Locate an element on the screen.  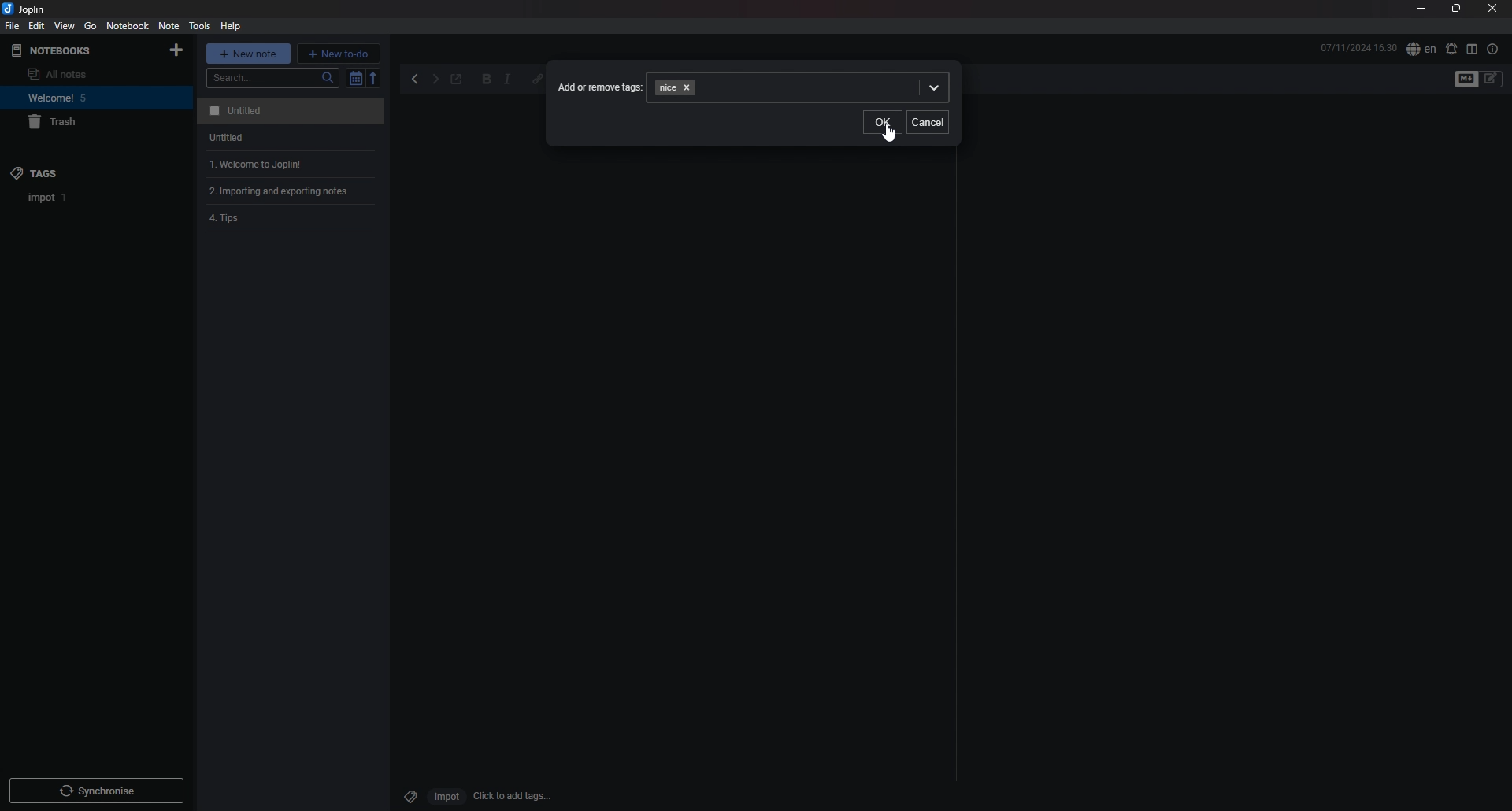
toggle editors is located at coordinates (1492, 79).